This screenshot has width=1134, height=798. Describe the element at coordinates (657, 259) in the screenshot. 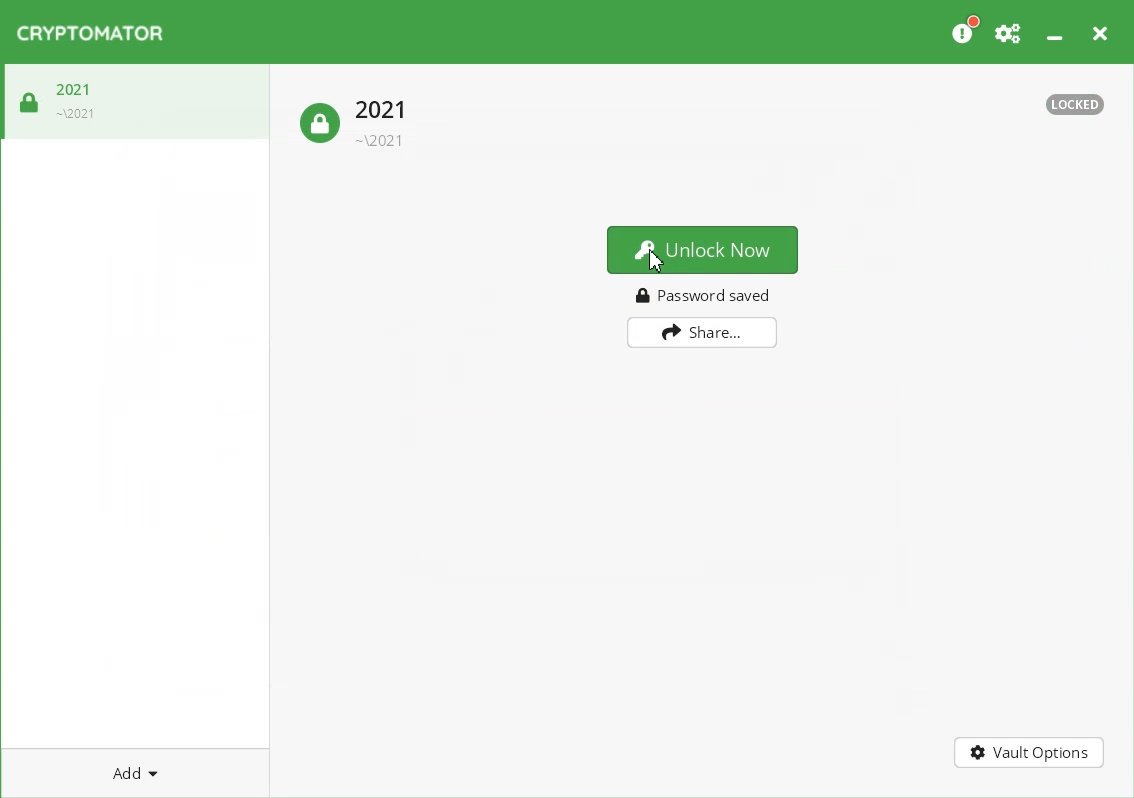

I see `Cursor` at that location.